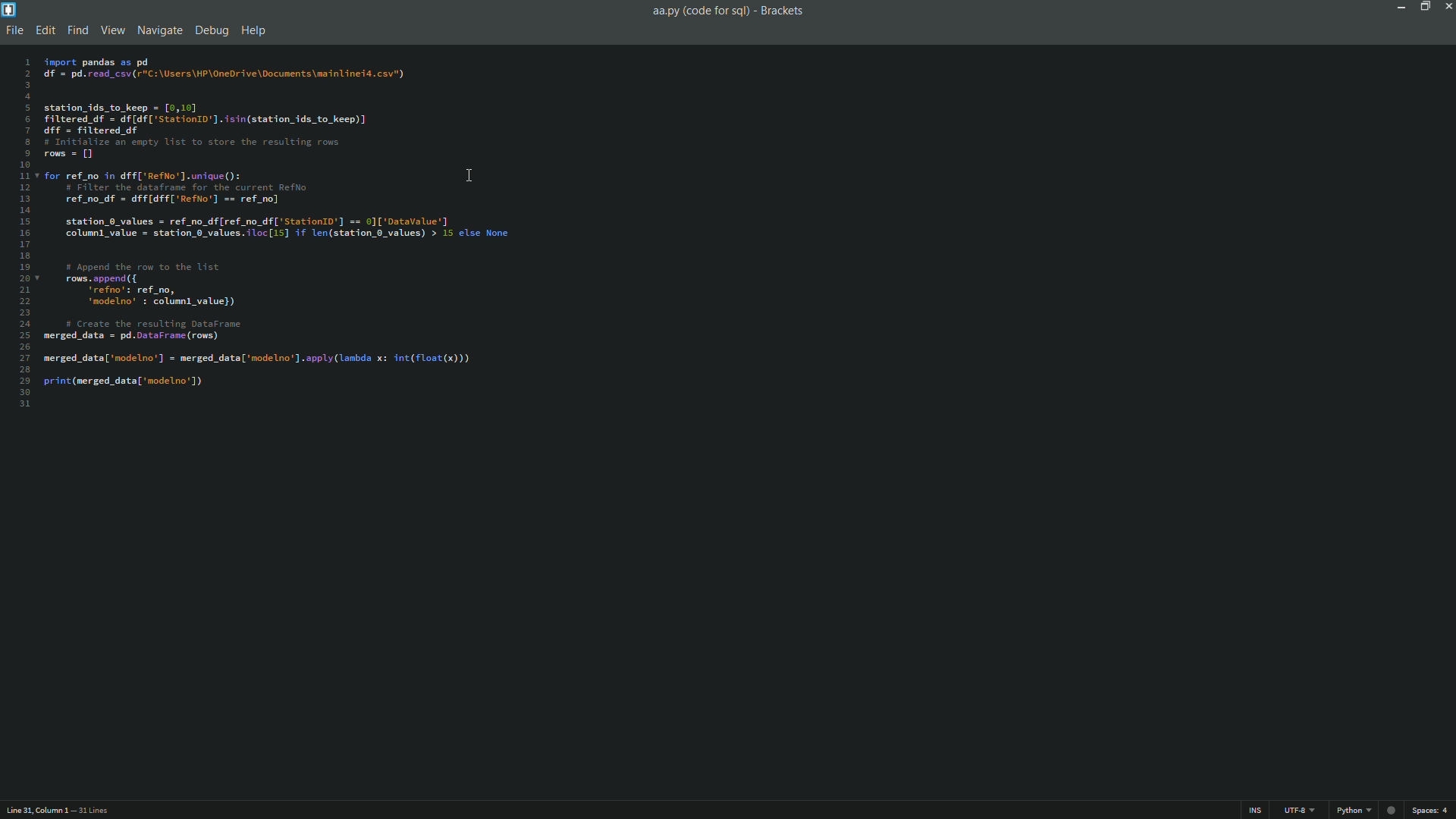 This screenshot has width=1456, height=819. I want to click on python, so click(1356, 809).